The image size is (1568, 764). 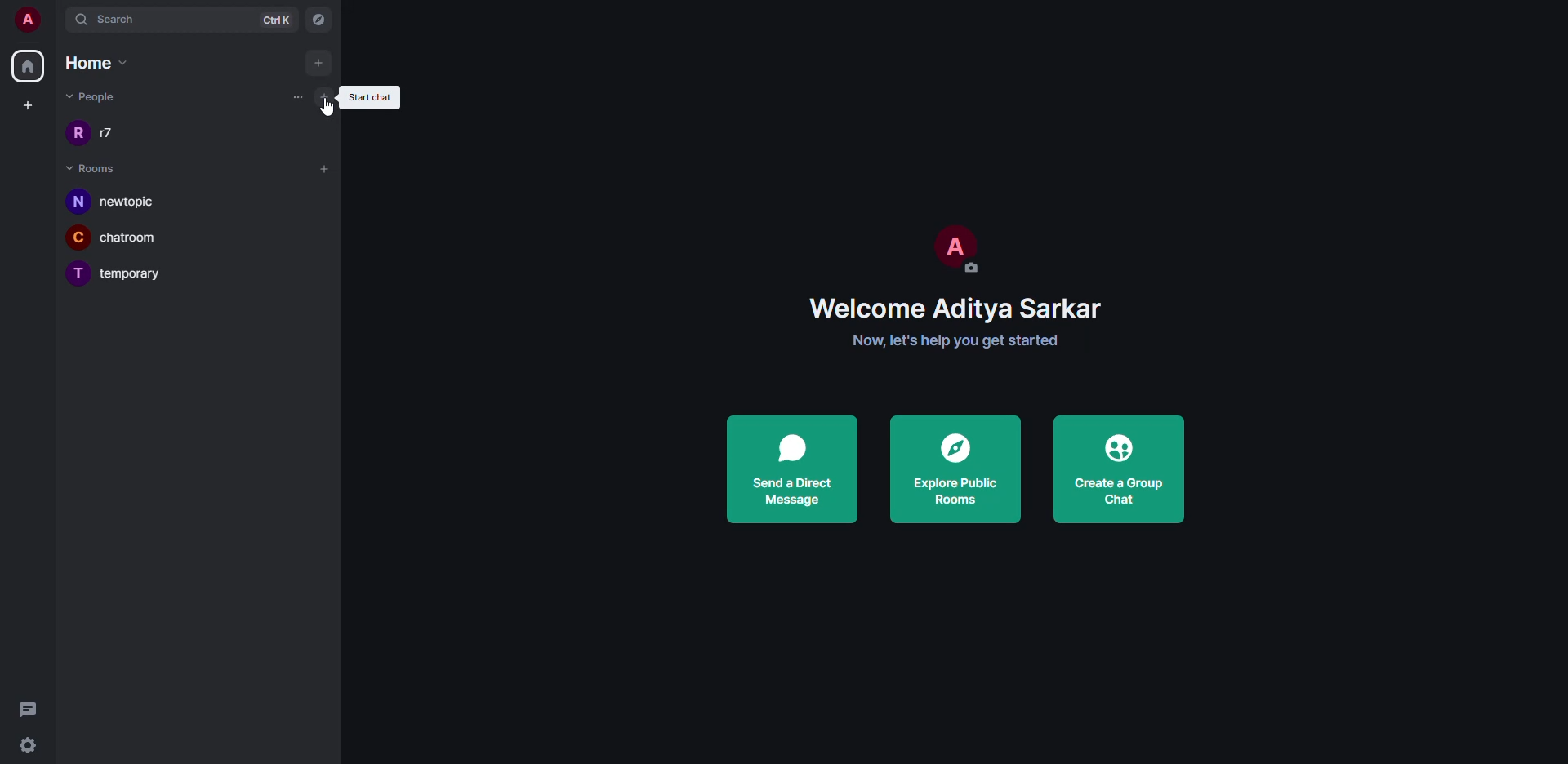 What do you see at coordinates (954, 323) in the screenshot?
I see `Welcome Aditya Sarkar
Now, let's help you get started` at bounding box center [954, 323].